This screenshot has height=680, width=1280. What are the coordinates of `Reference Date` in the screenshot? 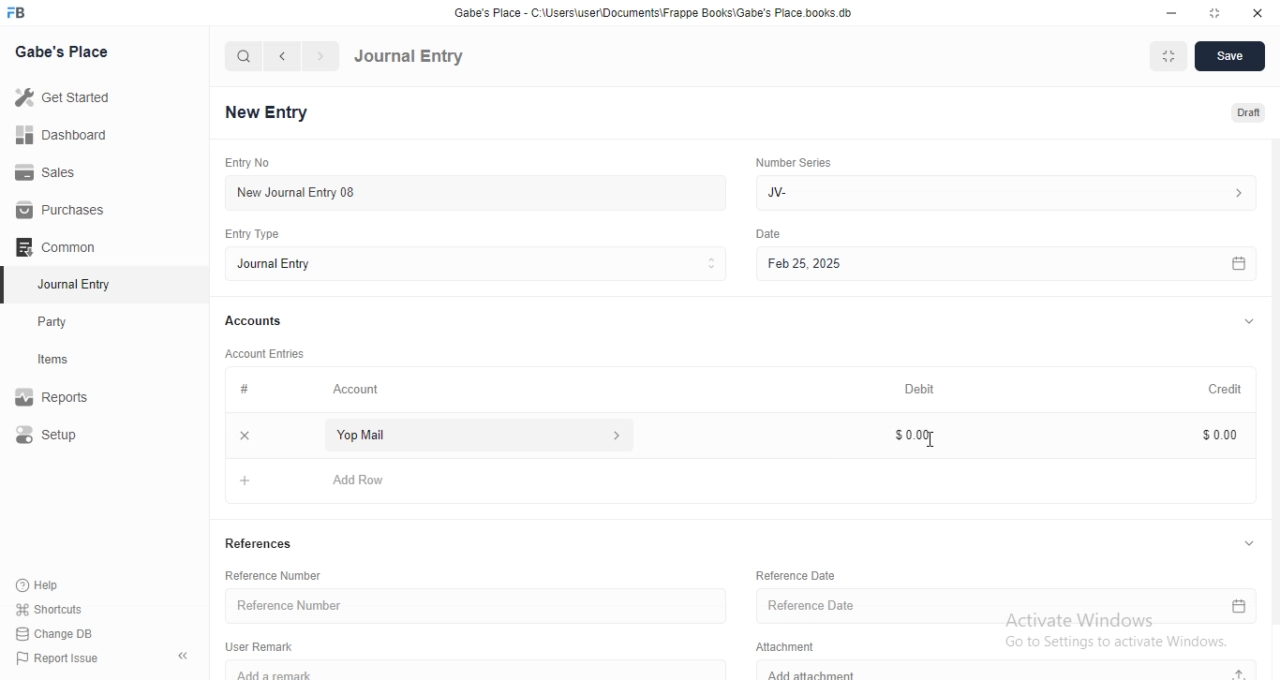 It's located at (793, 574).